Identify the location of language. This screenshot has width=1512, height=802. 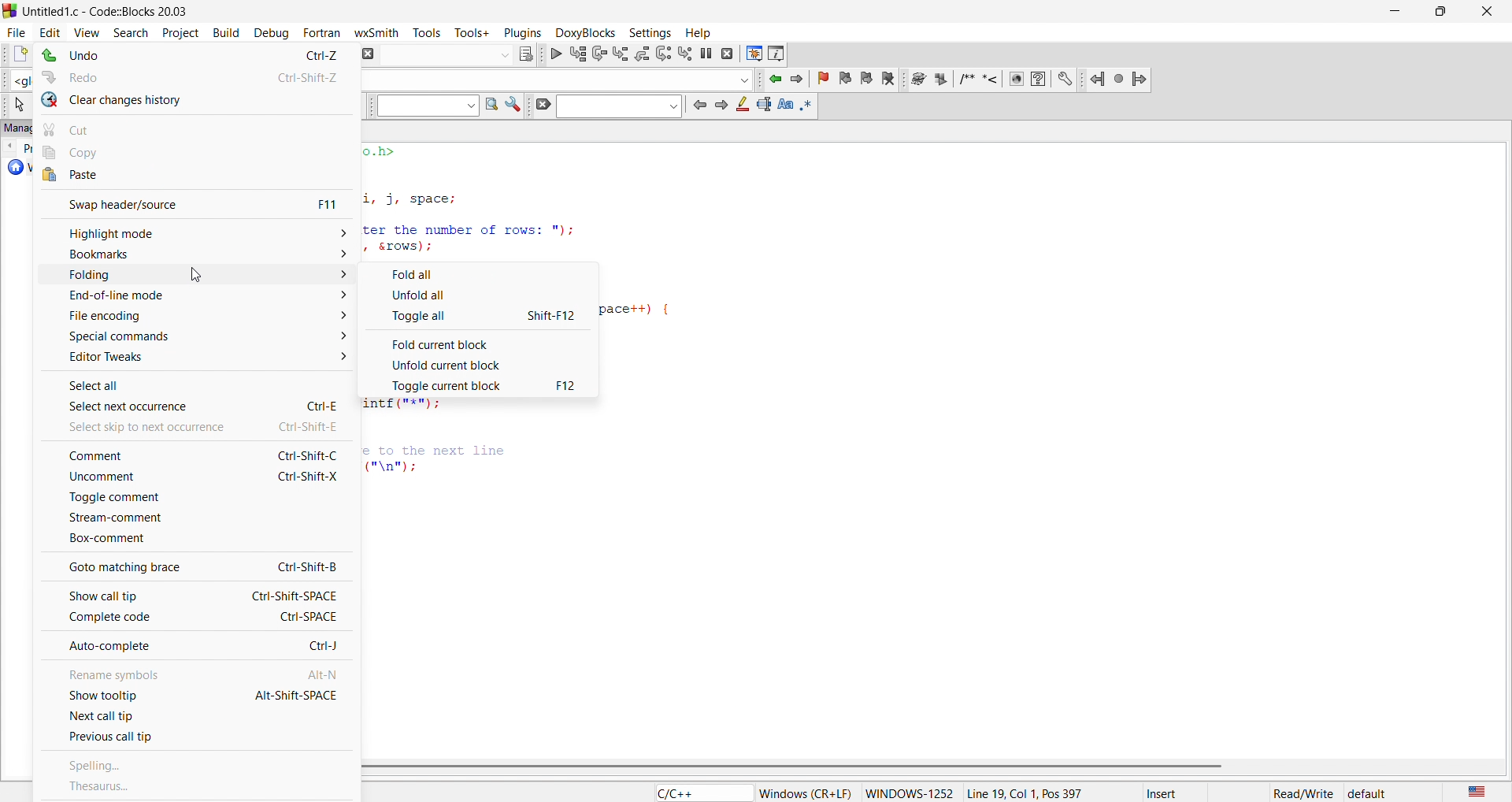
(1473, 791).